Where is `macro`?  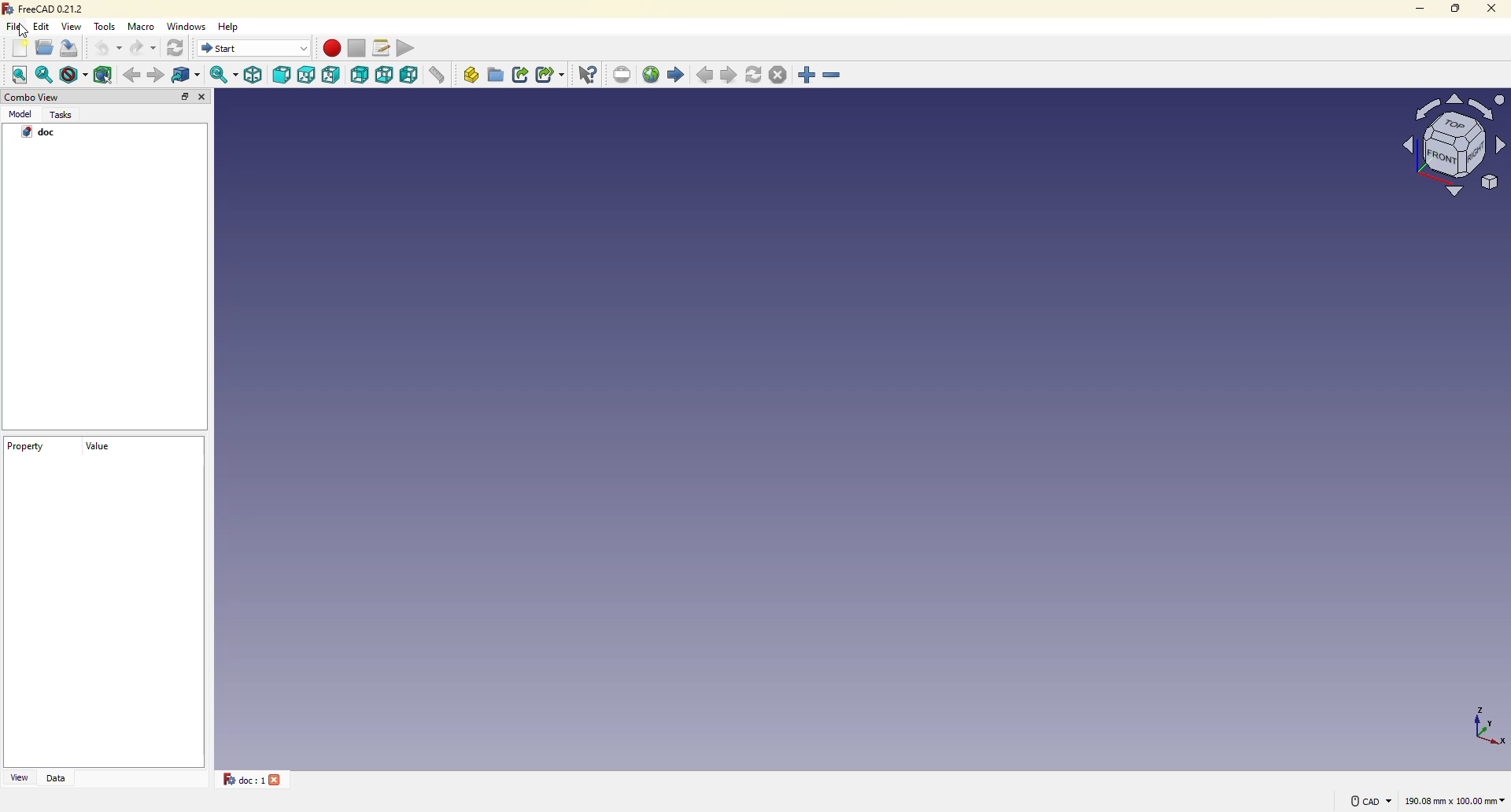 macro is located at coordinates (144, 28).